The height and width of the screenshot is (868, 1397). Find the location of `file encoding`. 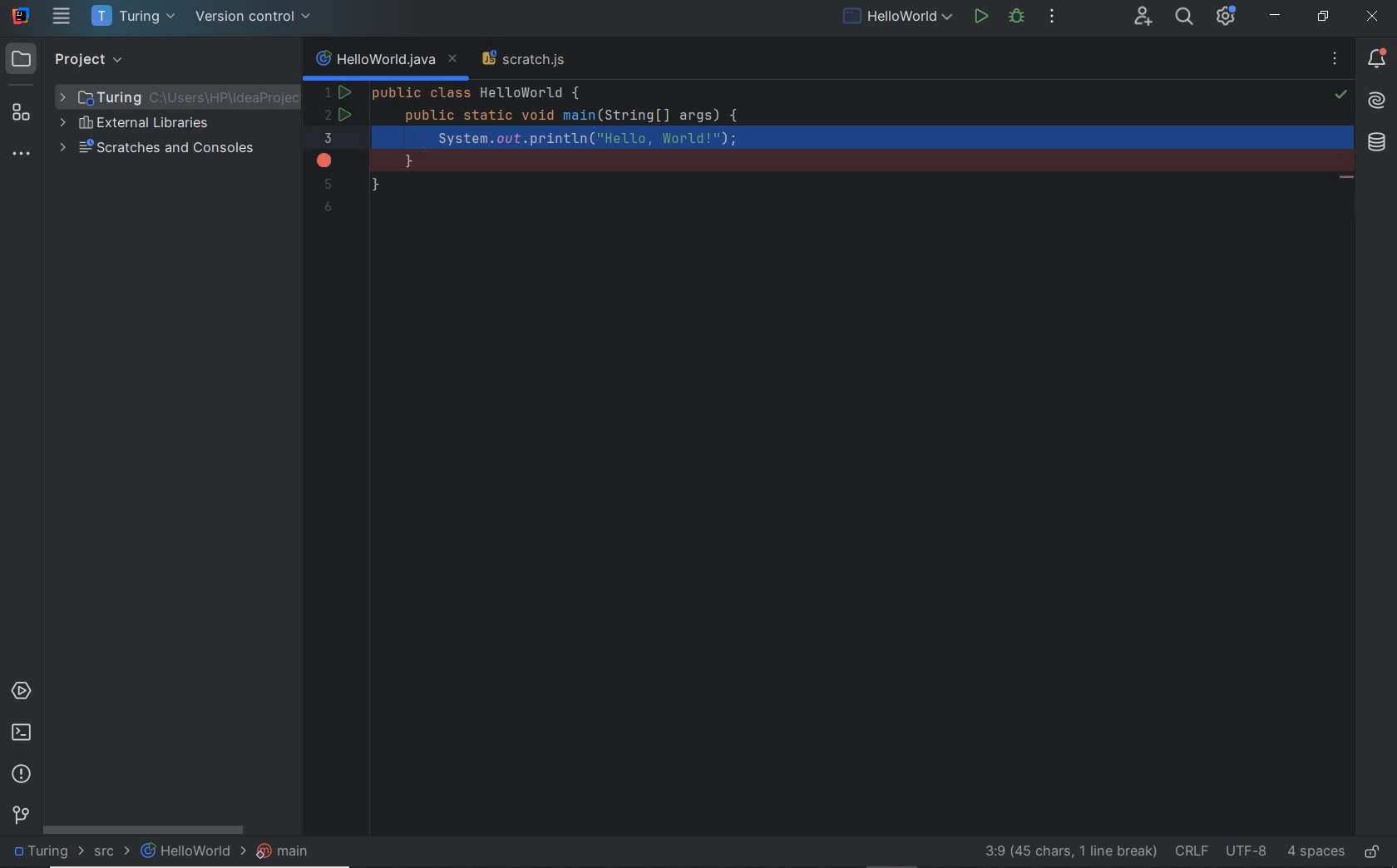

file encoding is located at coordinates (1249, 851).